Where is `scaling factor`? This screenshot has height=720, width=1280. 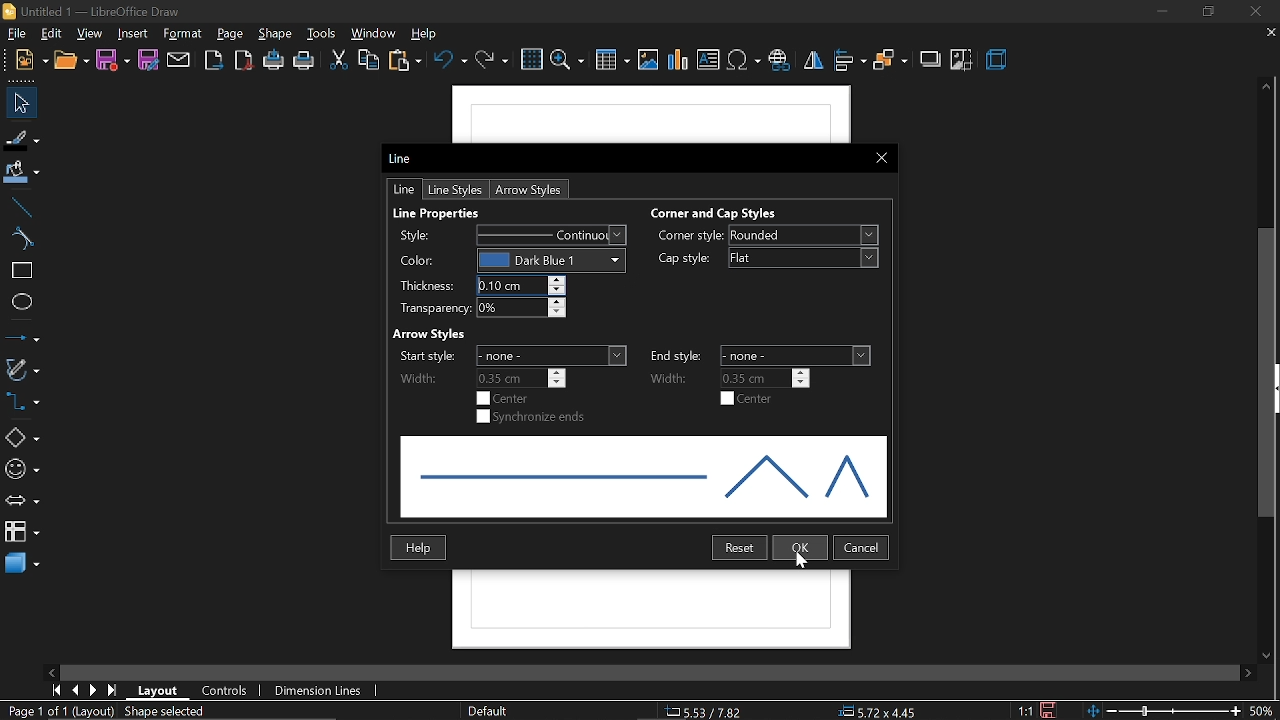 scaling factor is located at coordinates (1026, 710).